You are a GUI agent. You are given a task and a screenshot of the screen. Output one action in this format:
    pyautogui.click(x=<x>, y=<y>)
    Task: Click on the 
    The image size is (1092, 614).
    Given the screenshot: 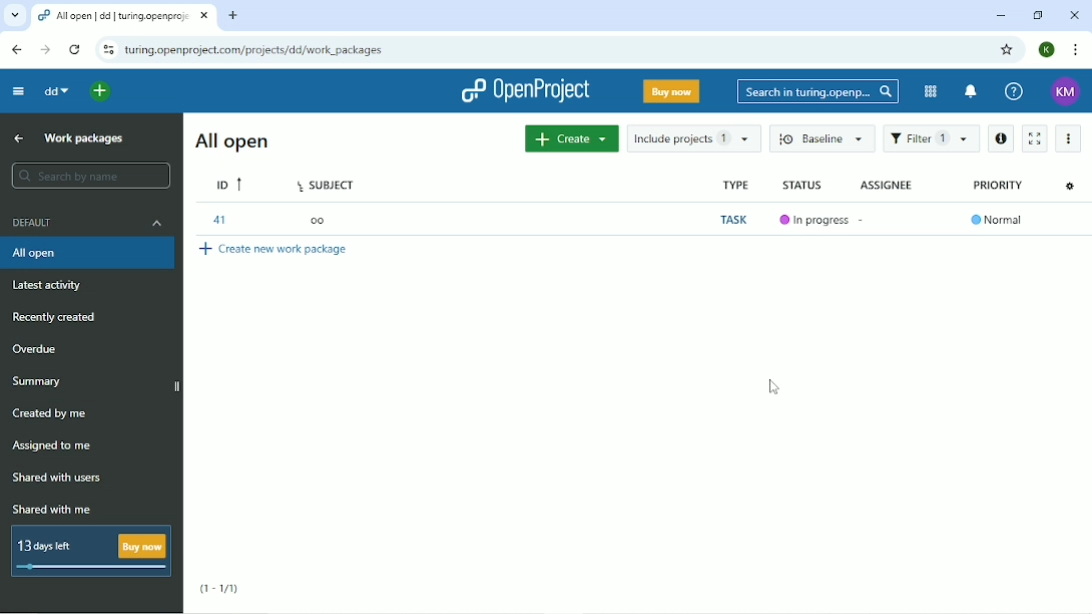 What is the action you would take?
    pyautogui.click(x=100, y=91)
    